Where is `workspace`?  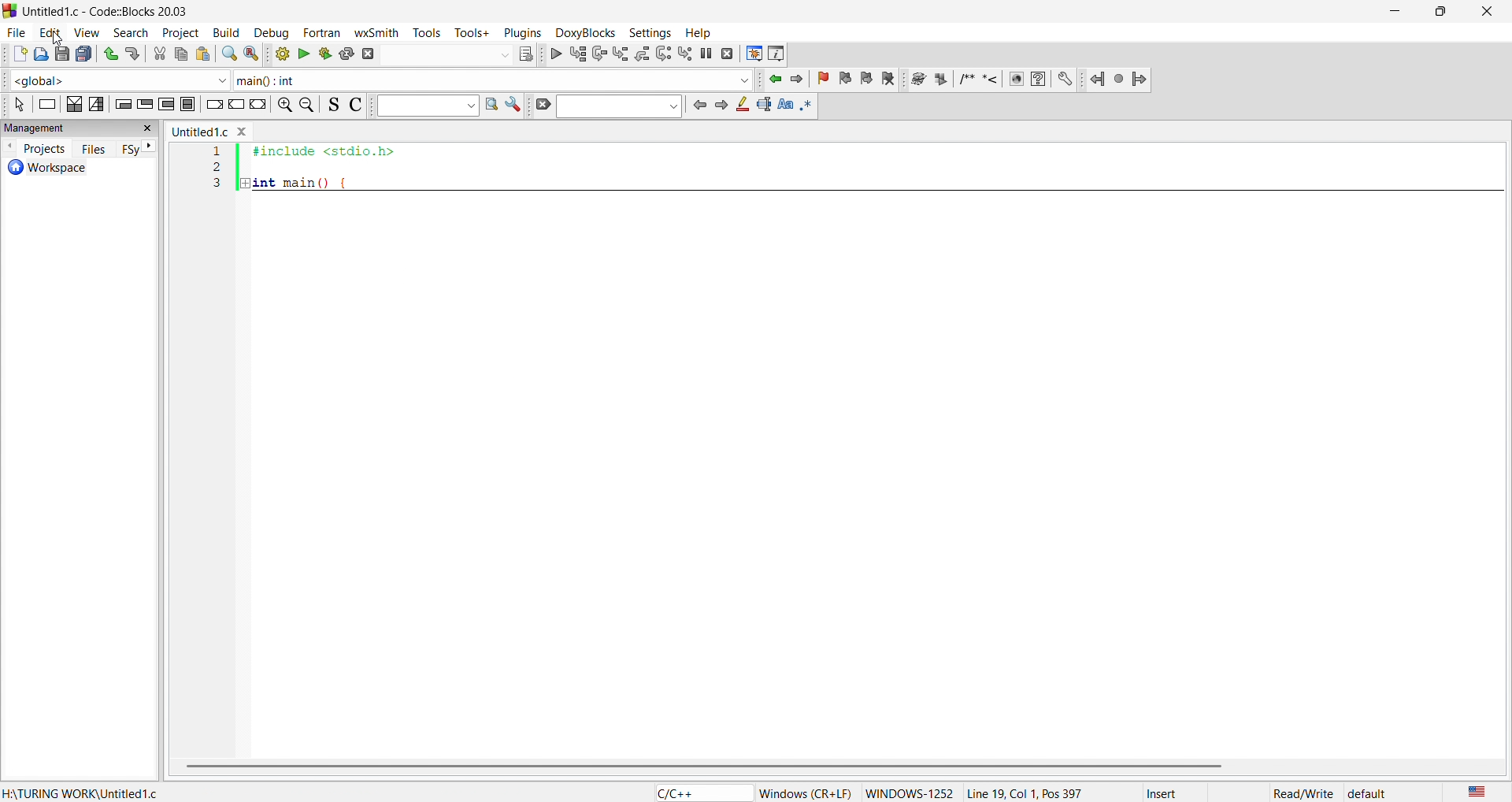
workspace is located at coordinates (69, 169).